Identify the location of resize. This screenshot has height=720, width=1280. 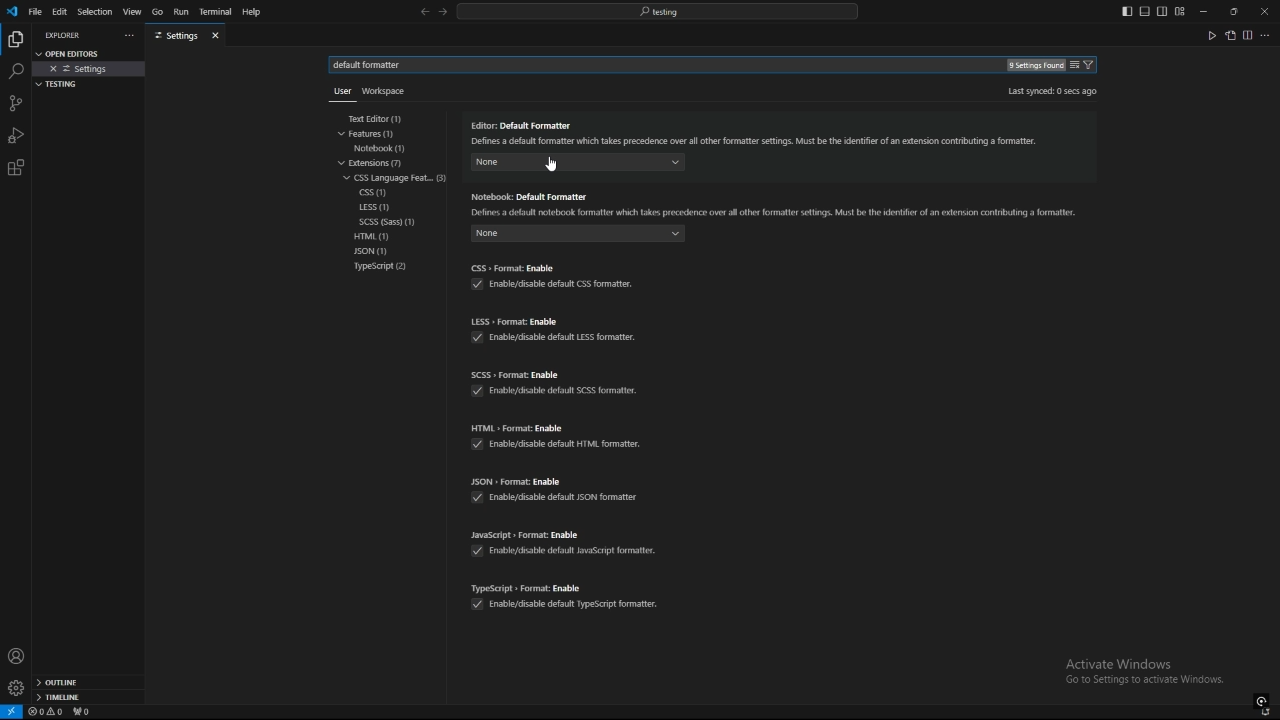
(1233, 11).